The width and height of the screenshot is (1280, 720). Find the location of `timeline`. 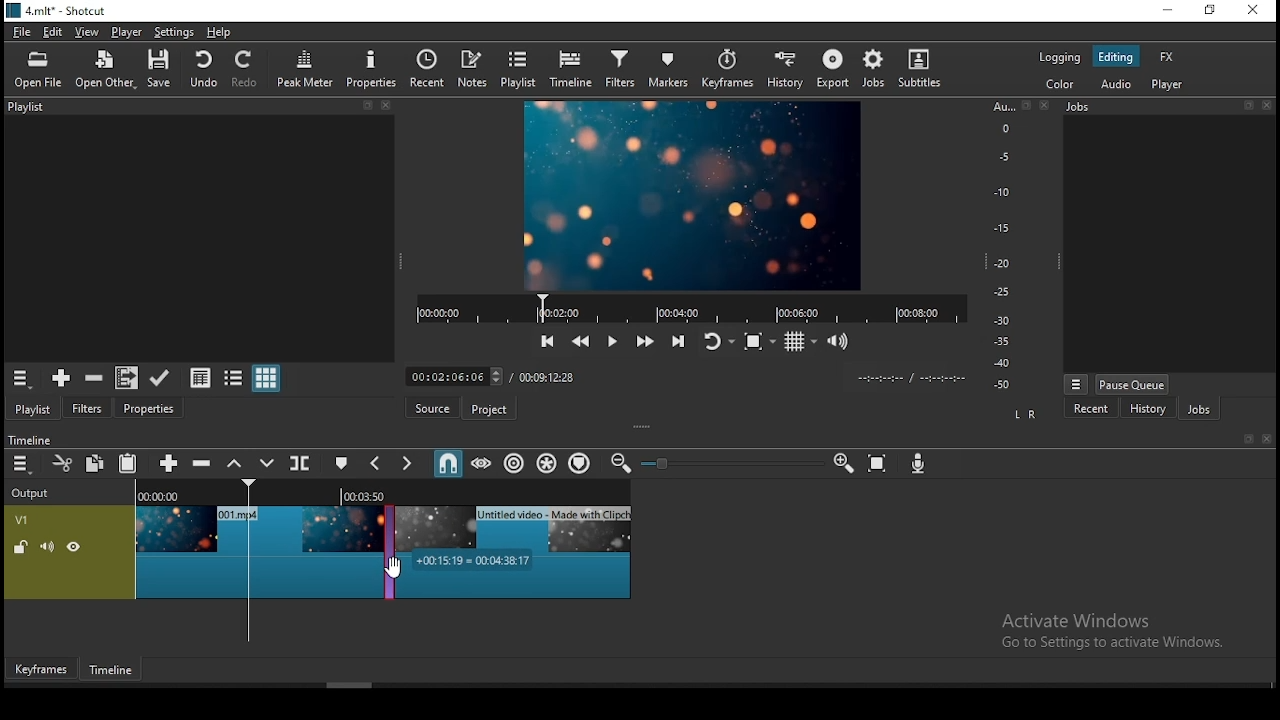

timeline is located at coordinates (570, 70).